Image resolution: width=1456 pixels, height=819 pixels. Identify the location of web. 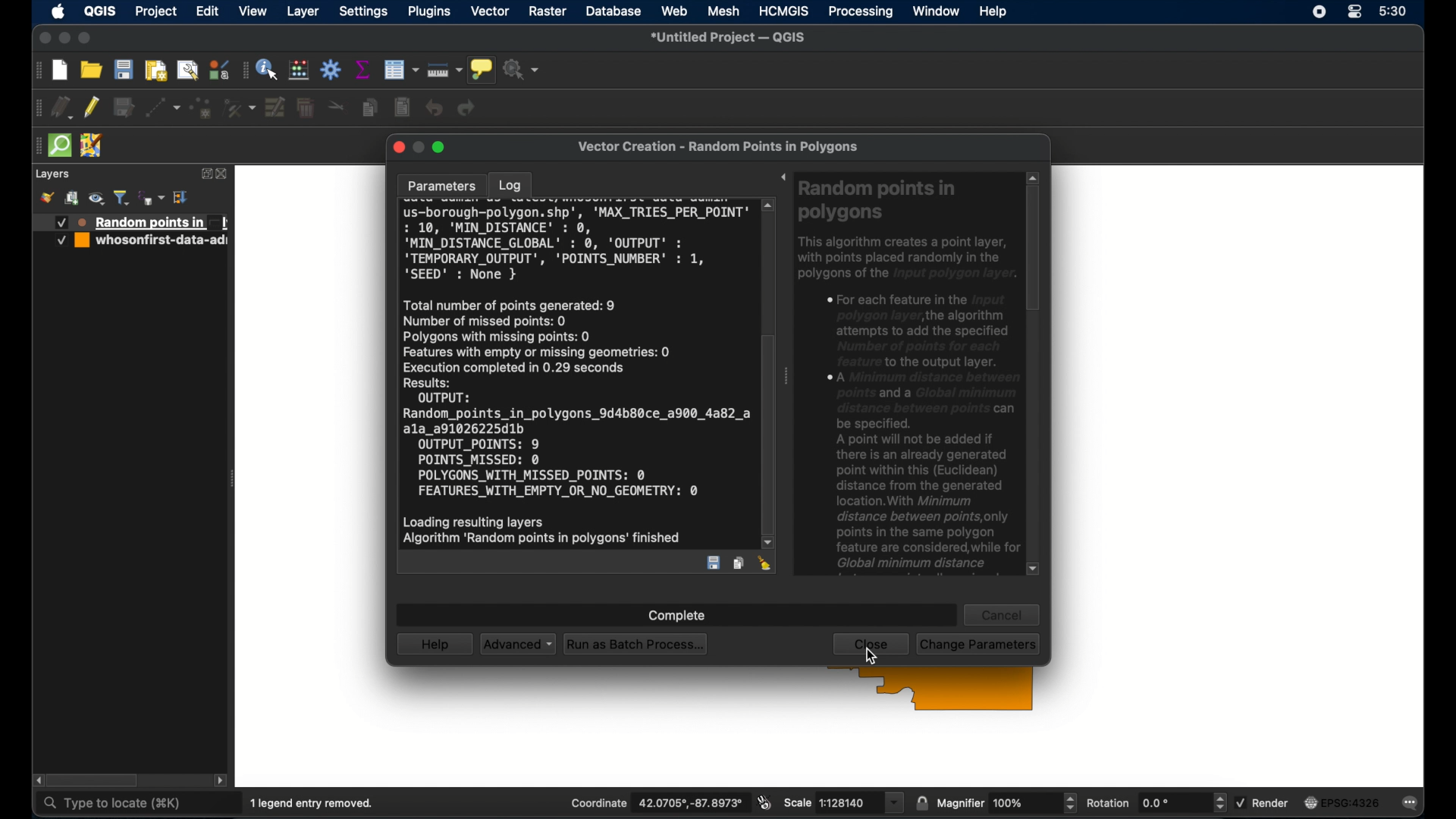
(674, 11).